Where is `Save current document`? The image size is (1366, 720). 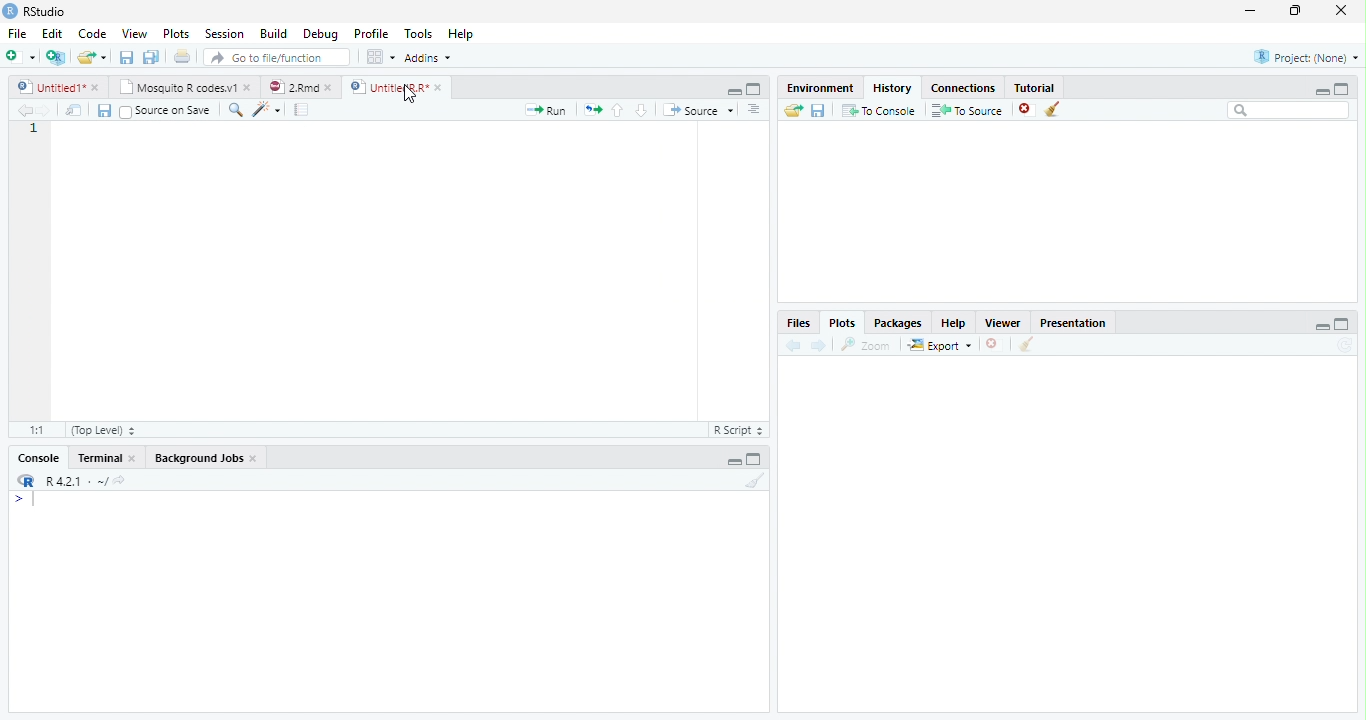 Save current document is located at coordinates (126, 56).